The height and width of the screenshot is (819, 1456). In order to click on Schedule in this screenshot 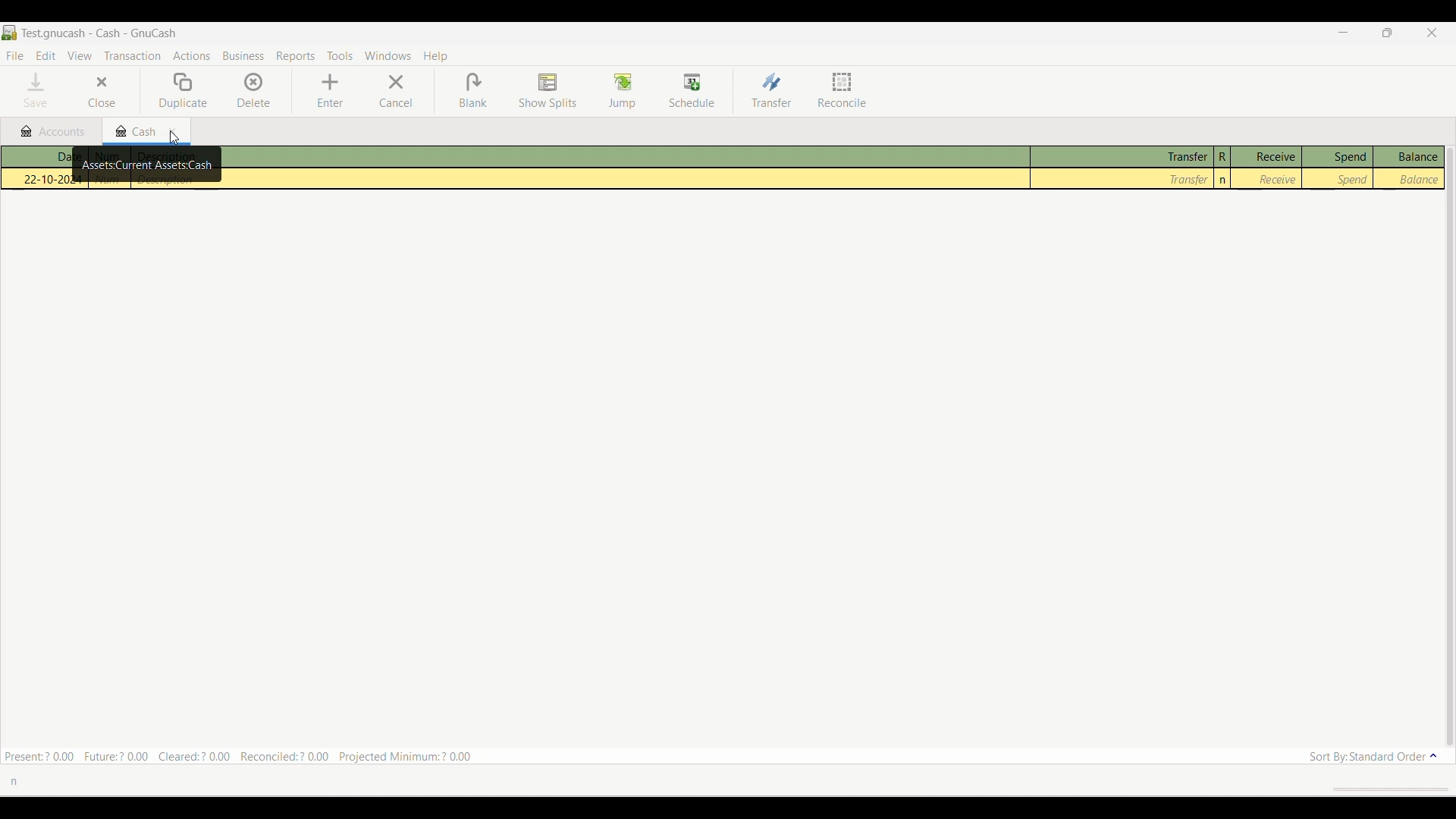, I will do `click(692, 90)`.